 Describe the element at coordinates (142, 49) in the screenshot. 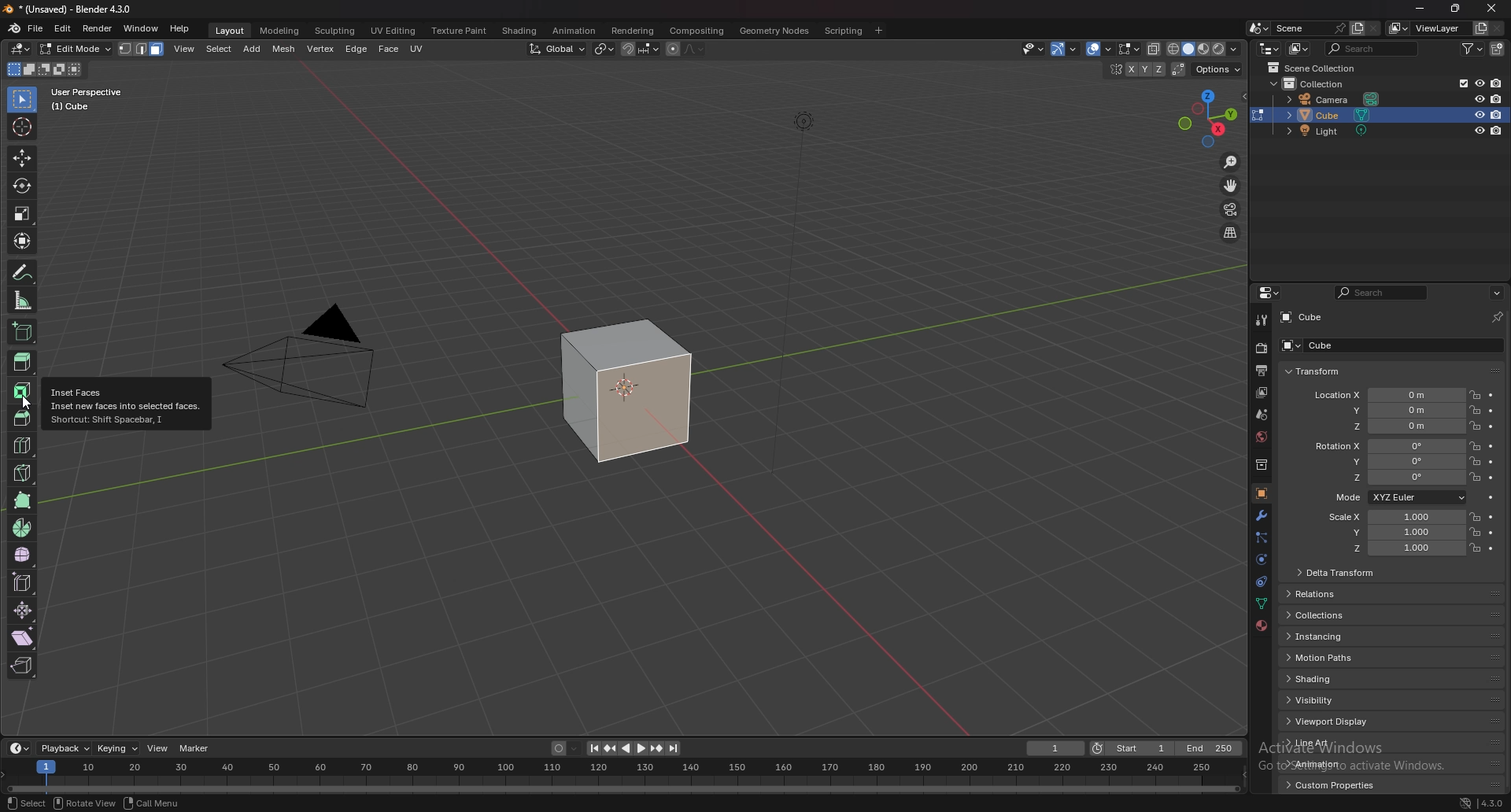

I see `select mode` at that location.